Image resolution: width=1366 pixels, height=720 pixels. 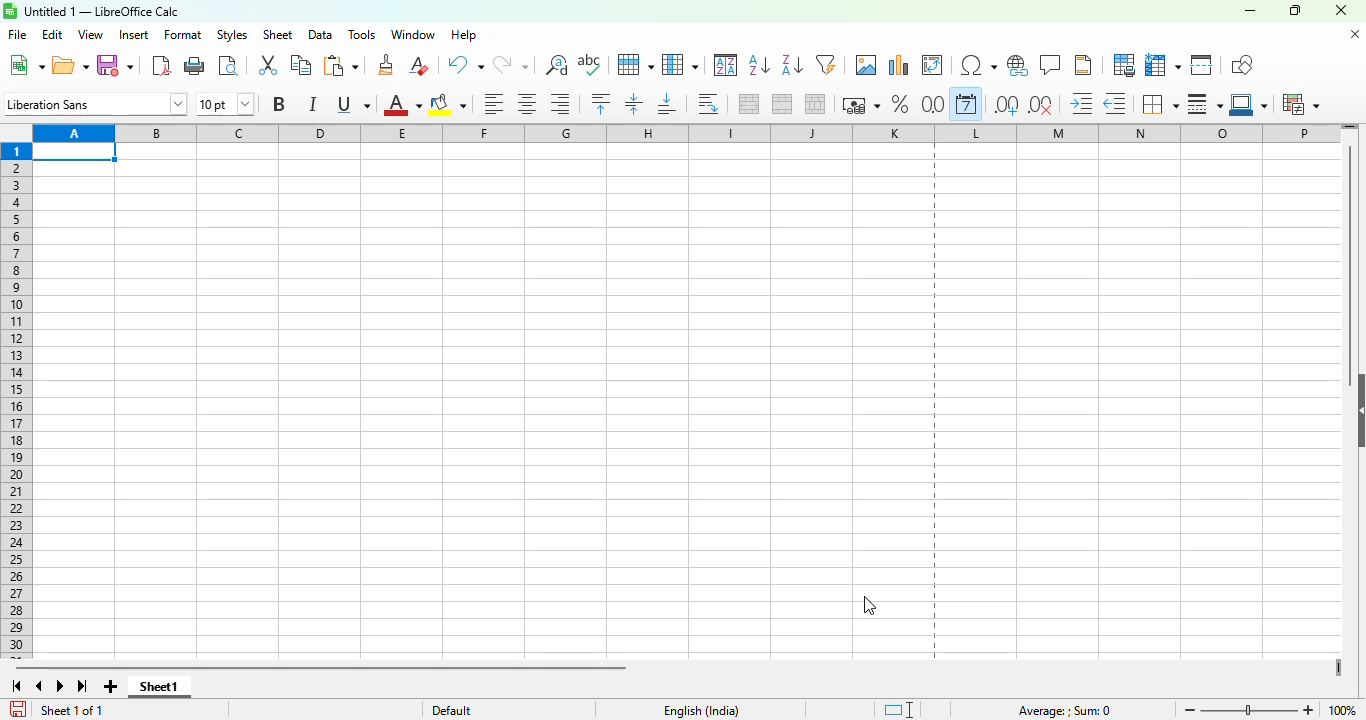 What do you see at coordinates (1344, 709) in the screenshot?
I see `zoom factor` at bounding box center [1344, 709].